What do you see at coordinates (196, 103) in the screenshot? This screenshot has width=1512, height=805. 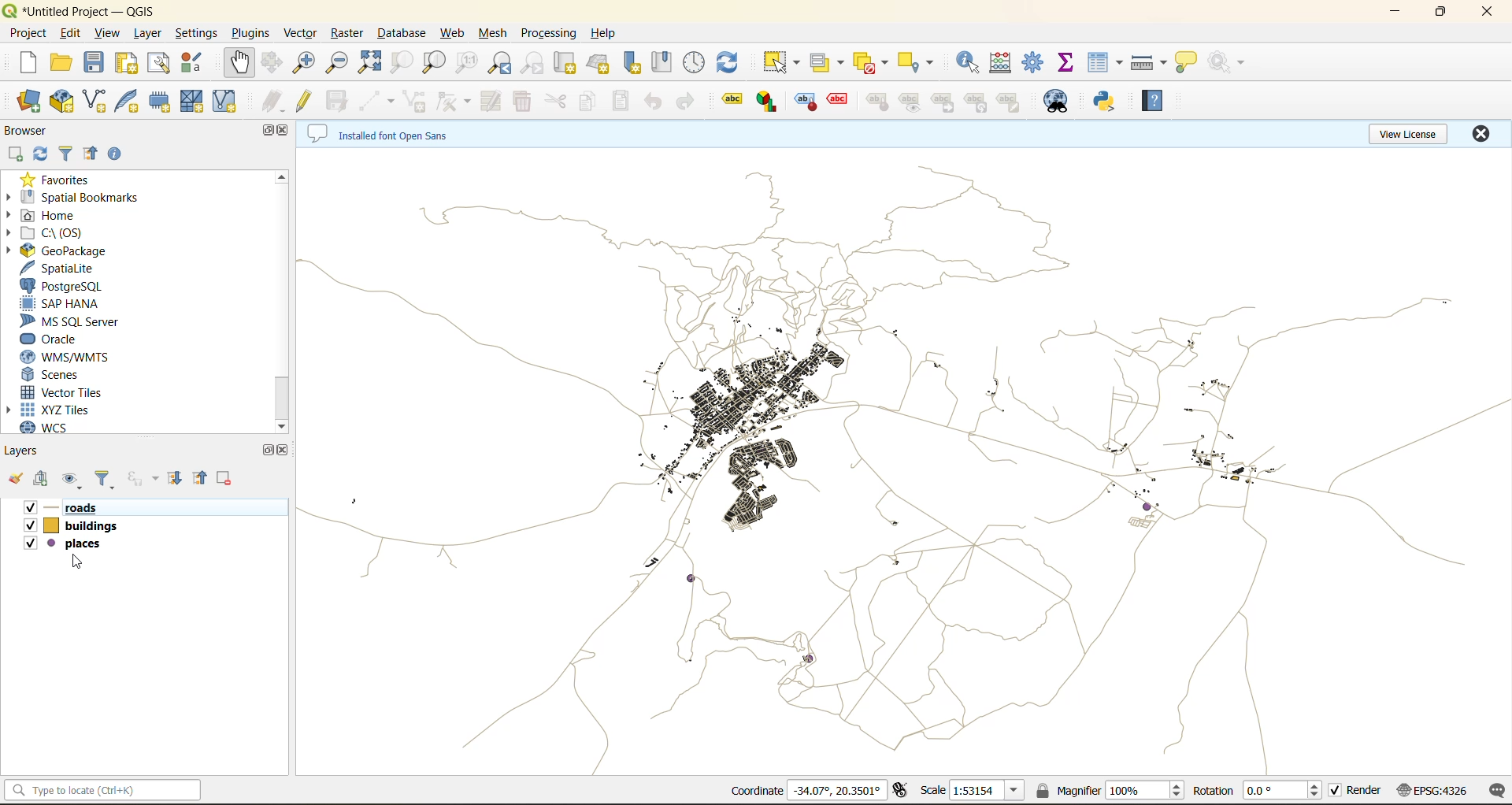 I see `mesh layer` at bounding box center [196, 103].